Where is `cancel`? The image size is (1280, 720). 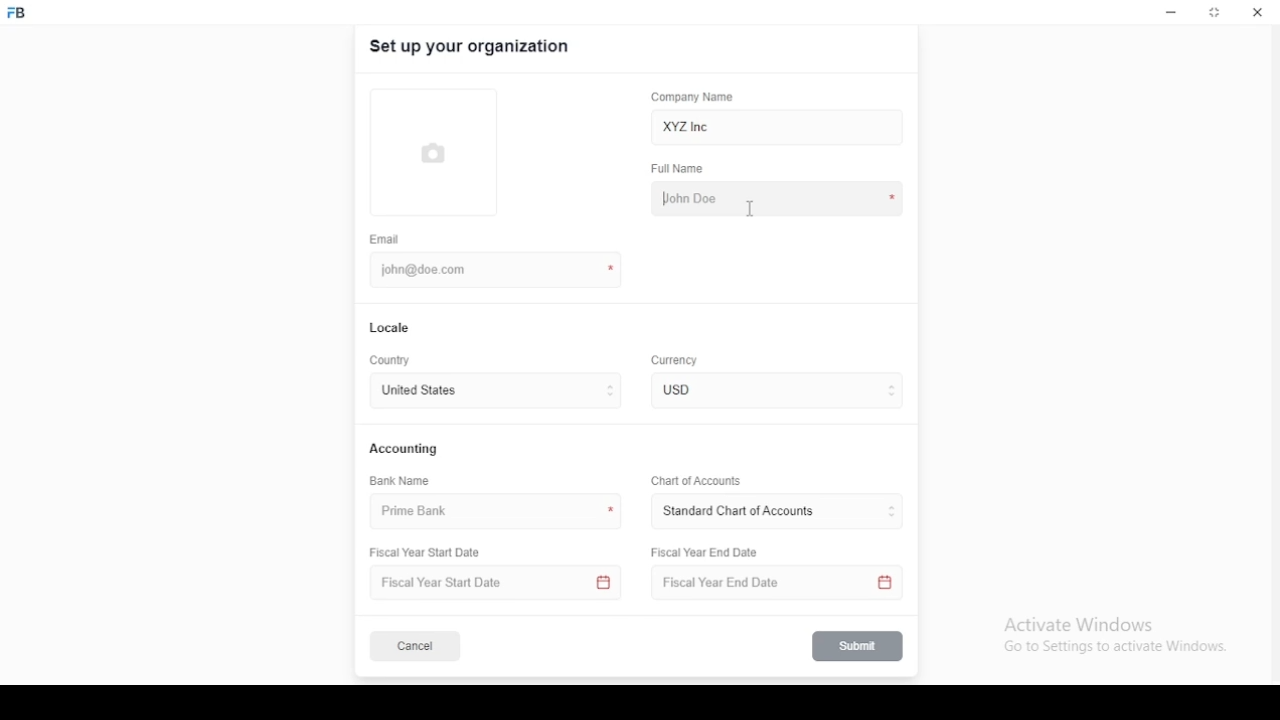
cancel is located at coordinates (415, 647).